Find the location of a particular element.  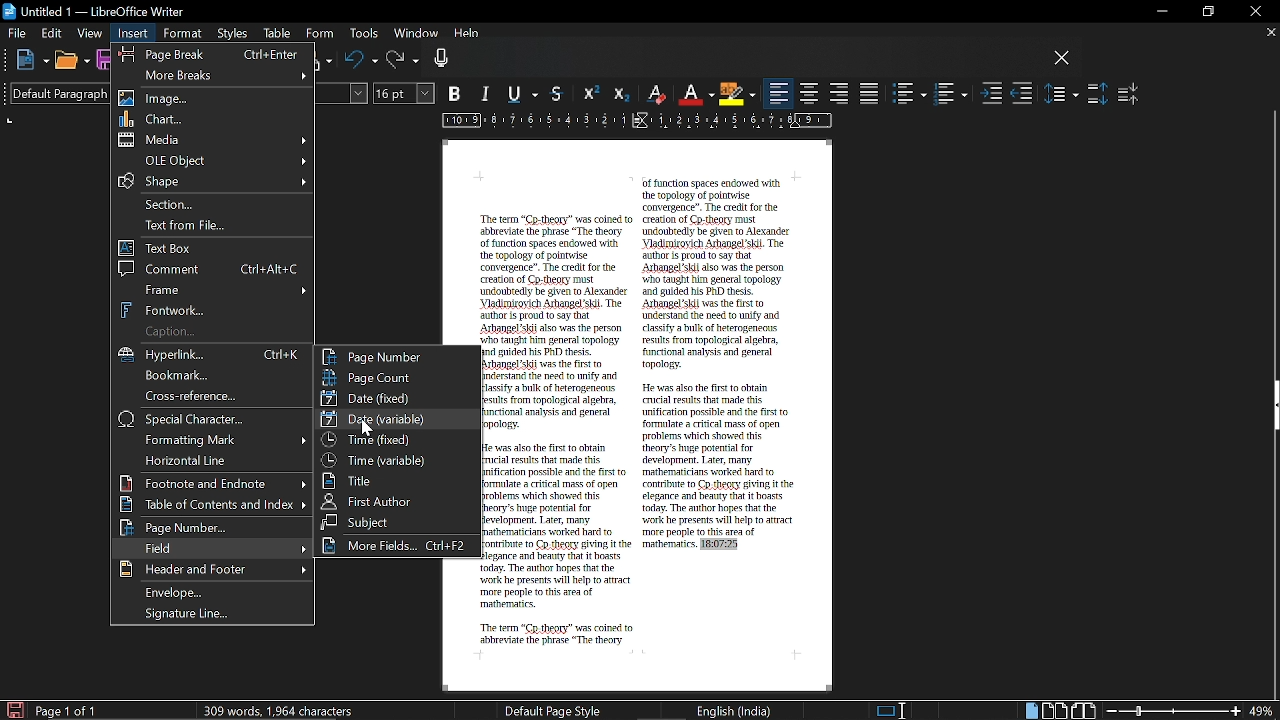

Styles is located at coordinates (234, 35).